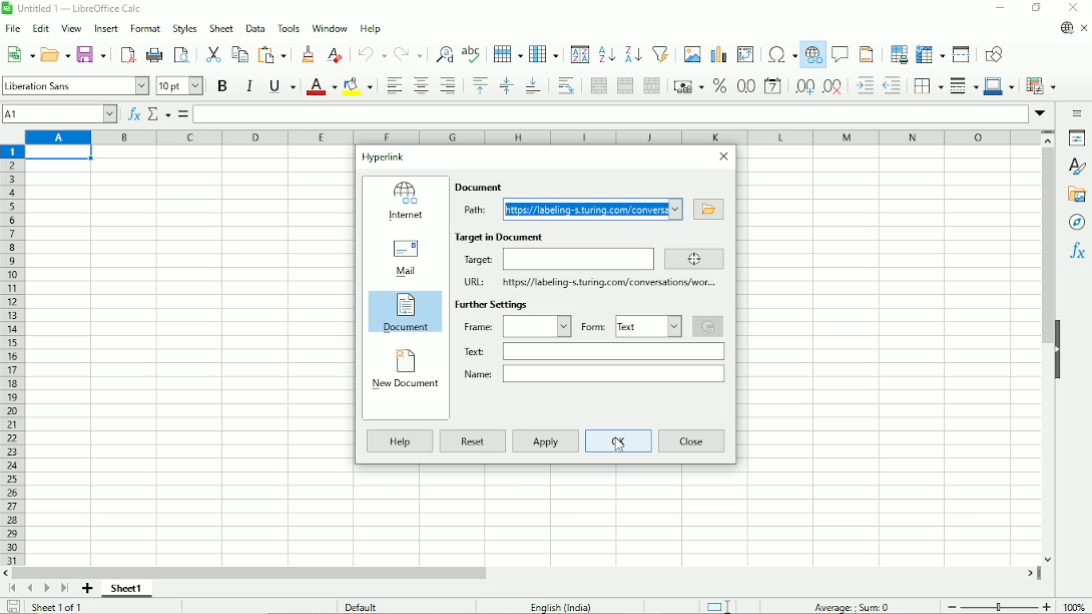 The width and height of the screenshot is (1092, 614). I want to click on Sort ascending, so click(606, 54).